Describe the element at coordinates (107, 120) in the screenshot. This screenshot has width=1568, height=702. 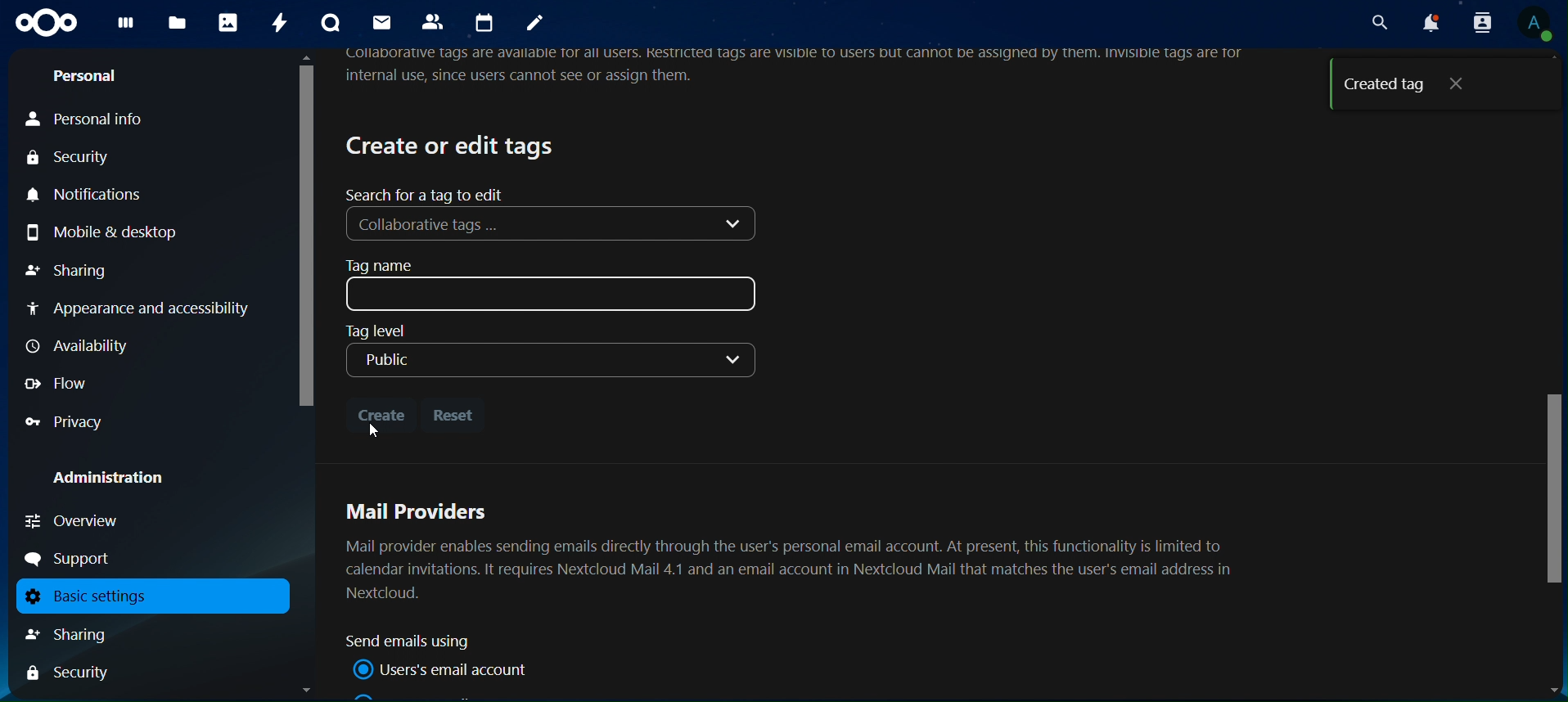
I see `personal info` at that location.